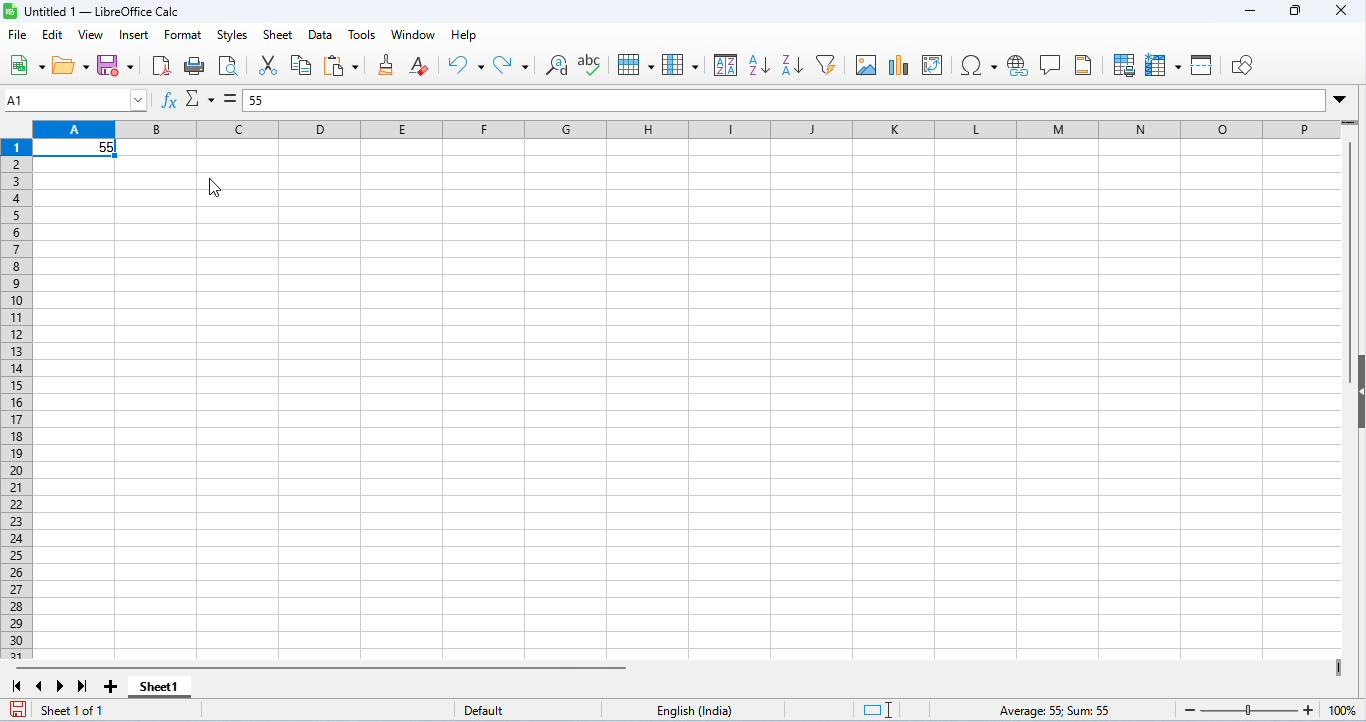 Image resolution: width=1366 pixels, height=722 pixels. What do you see at coordinates (638, 65) in the screenshot?
I see `row` at bounding box center [638, 65].